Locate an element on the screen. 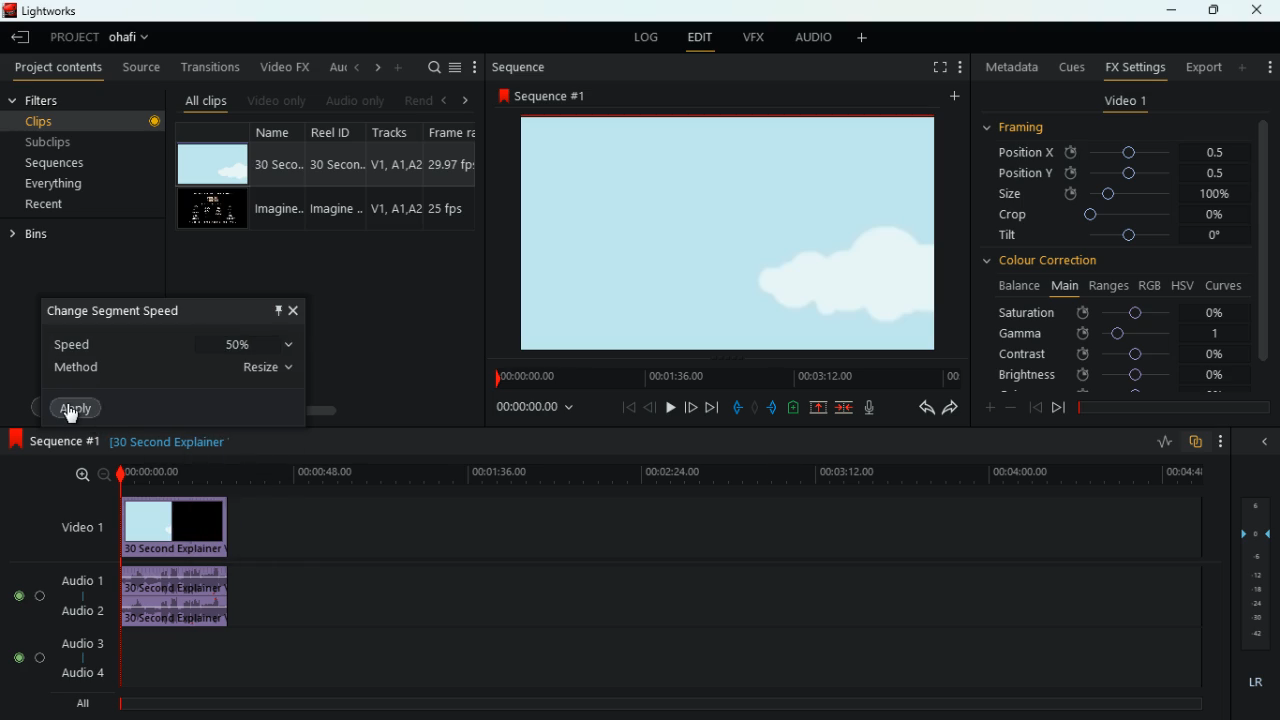 This screenshot has height=720, width=1280. minus is located at coordinates (1011, 407).